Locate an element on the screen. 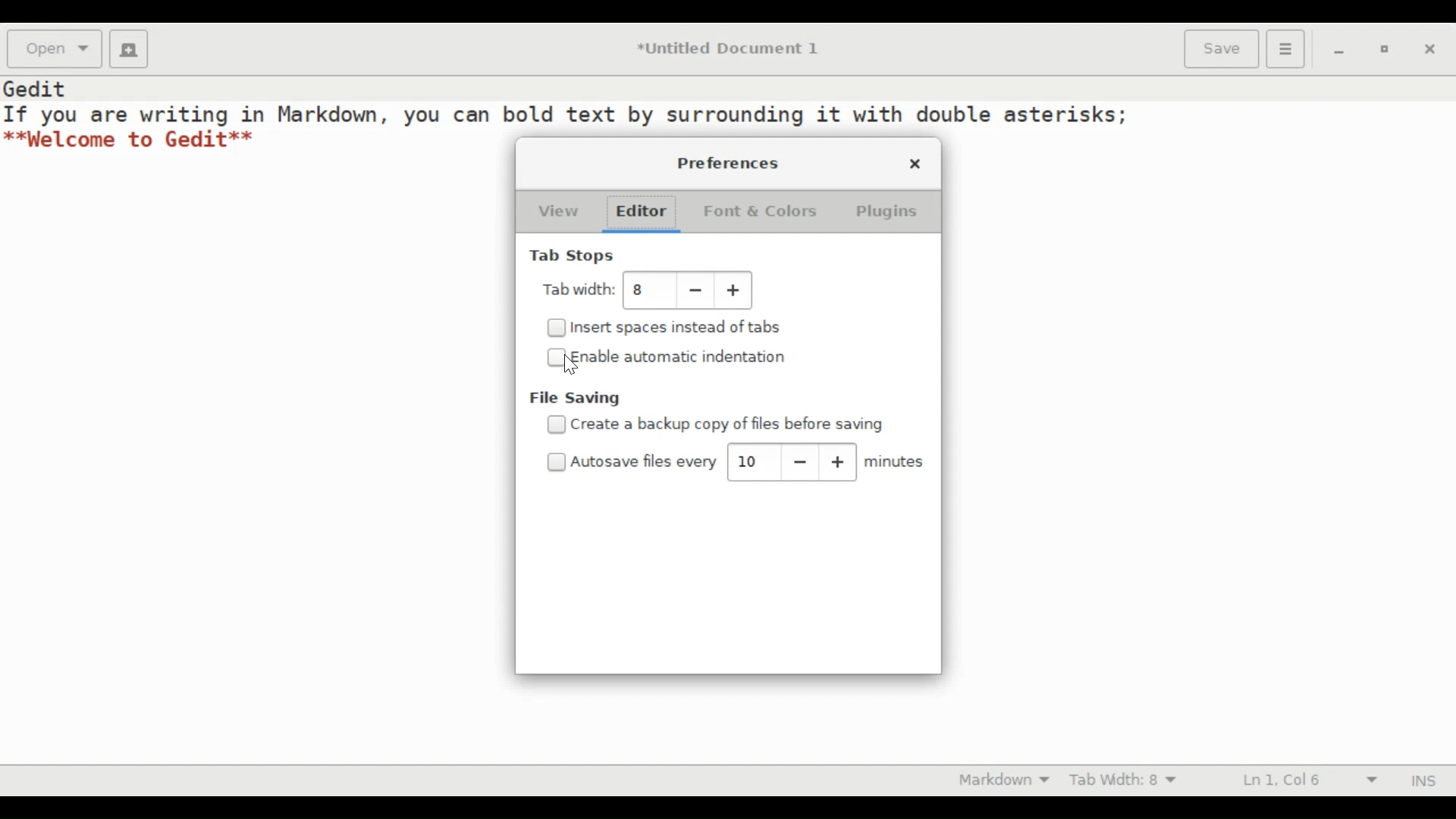 The image size is (1456, 819). tab width value is located at coordinates (649, 290).